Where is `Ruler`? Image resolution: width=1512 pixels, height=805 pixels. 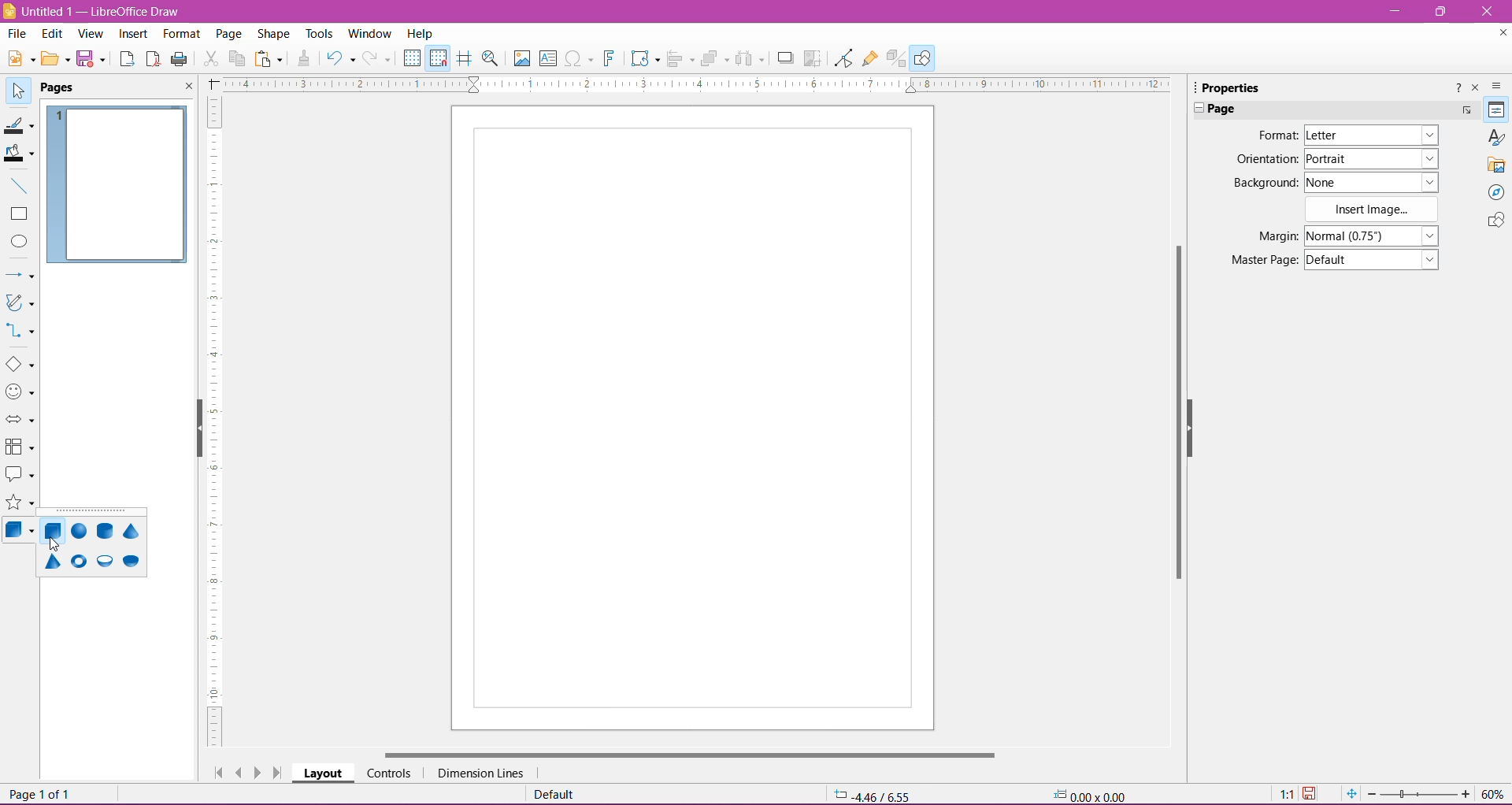
Ruler is located at coordinates (691, 84).